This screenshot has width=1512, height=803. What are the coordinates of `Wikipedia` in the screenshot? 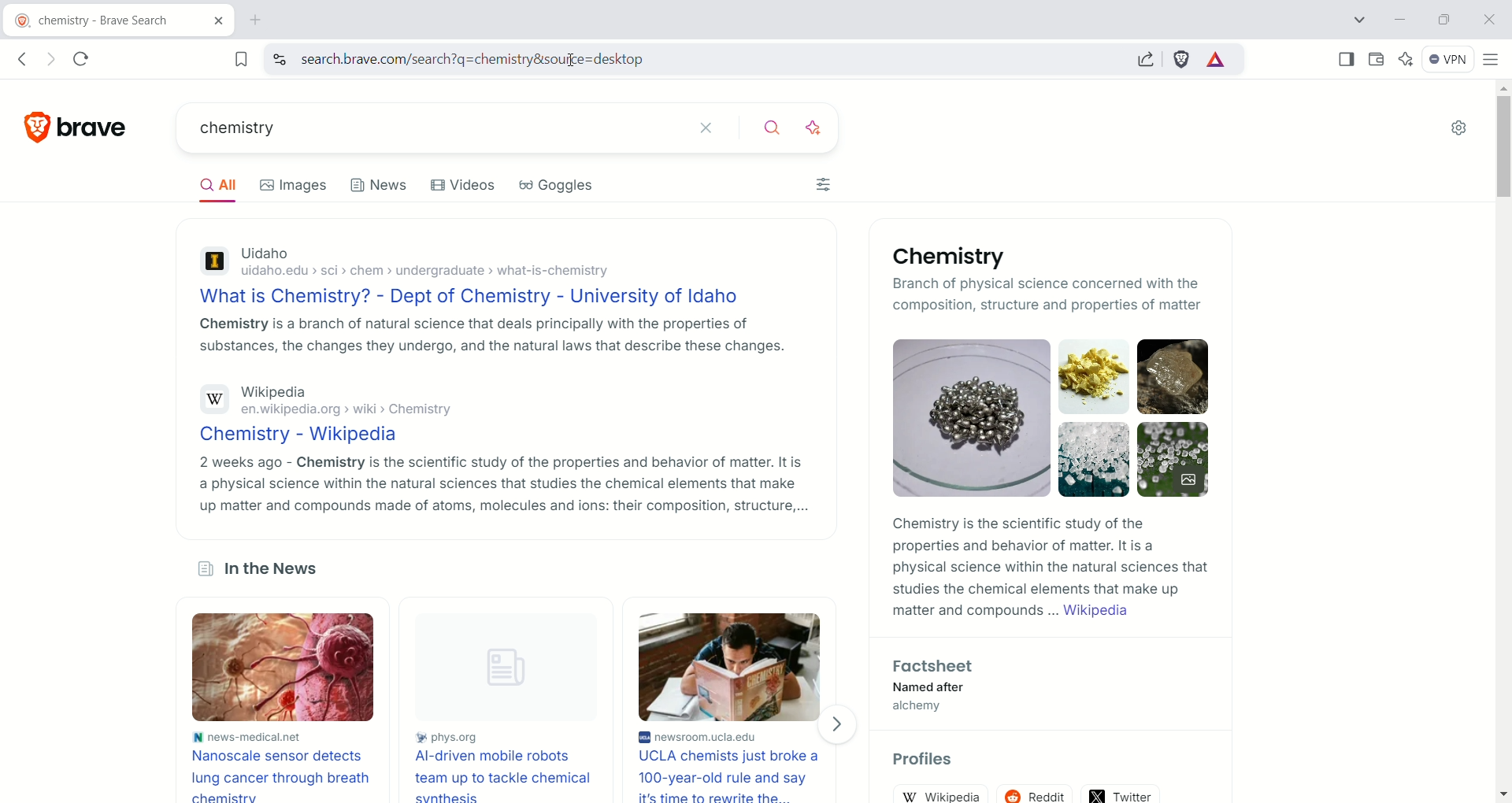 It's located at (275, 393).